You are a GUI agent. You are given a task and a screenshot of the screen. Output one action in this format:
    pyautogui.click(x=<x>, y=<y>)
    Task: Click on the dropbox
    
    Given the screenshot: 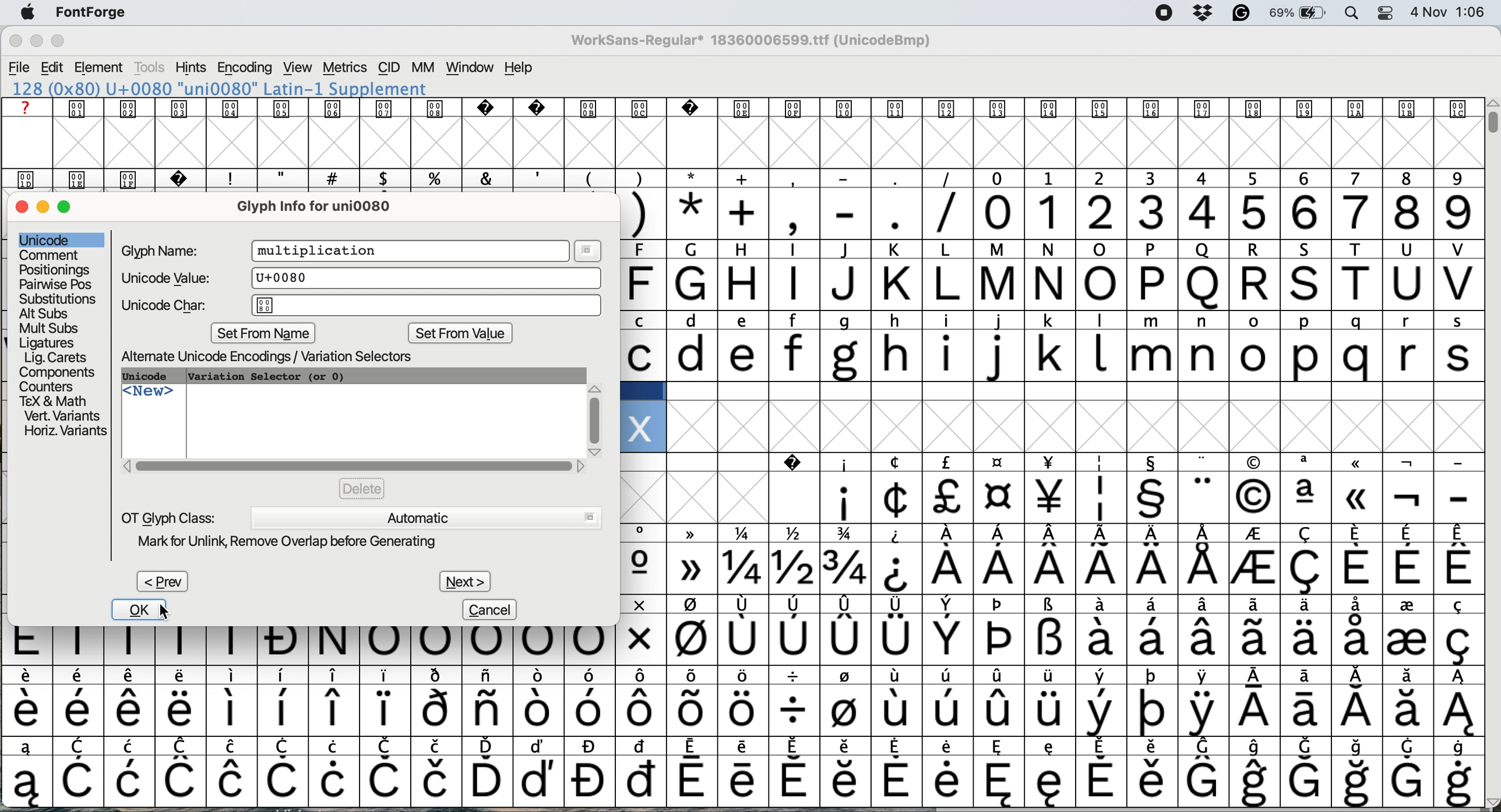 What is the action you would take?
    pyautogui.click(x=1201, y=13)
    